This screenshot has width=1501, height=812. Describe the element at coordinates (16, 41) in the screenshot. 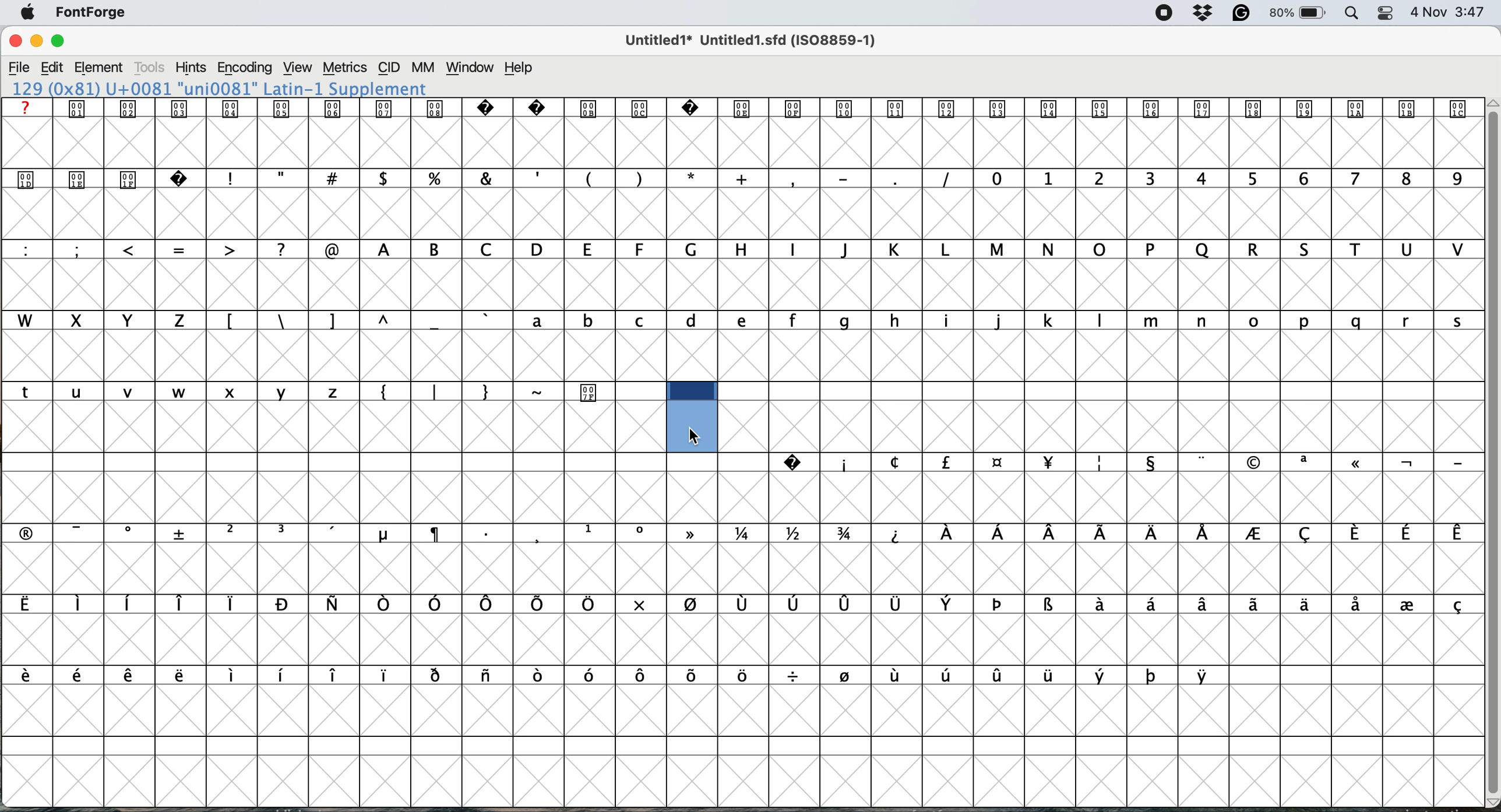

I see `Close` at that location.